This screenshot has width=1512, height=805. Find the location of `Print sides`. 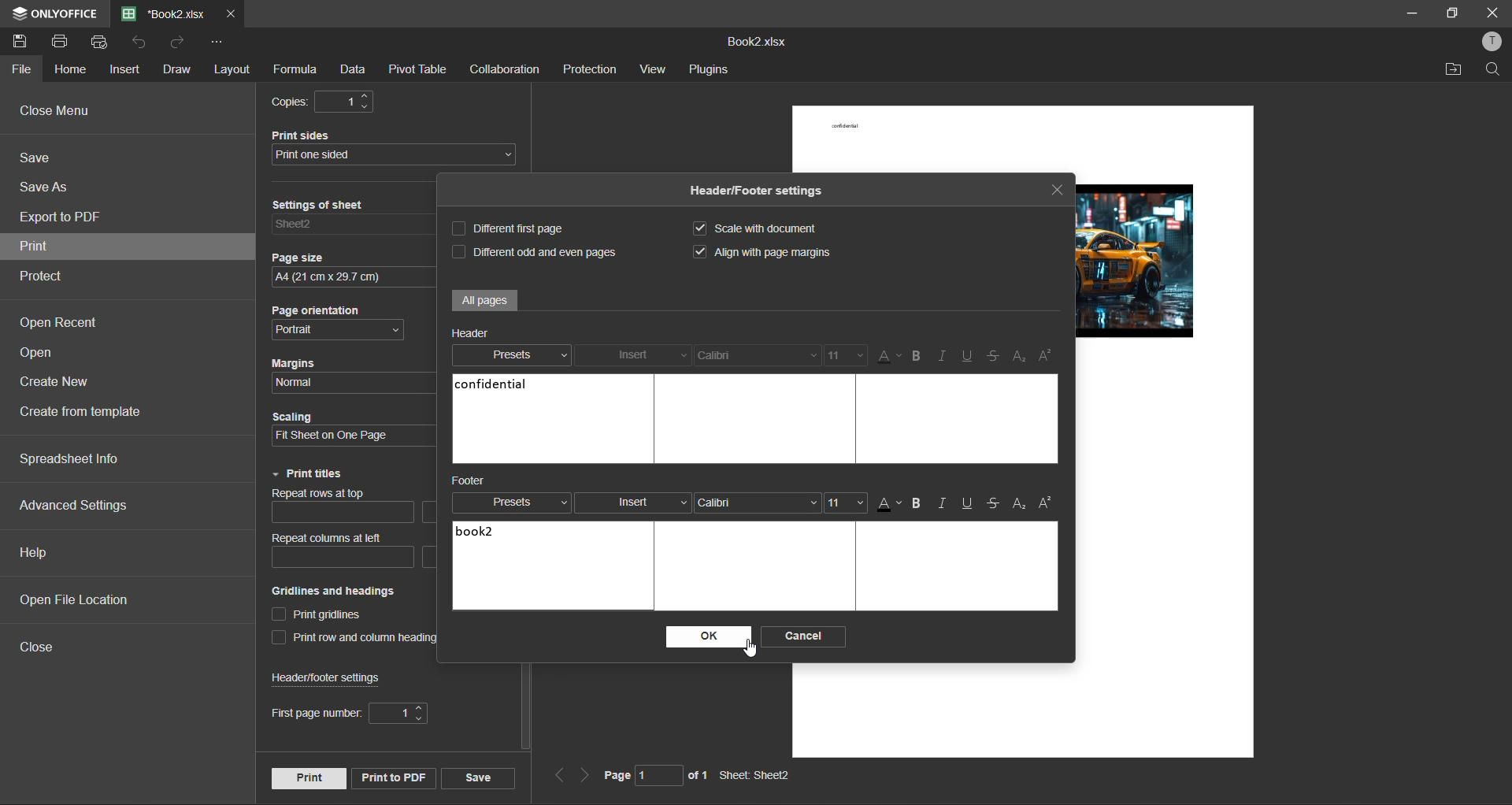

Print sides is located at coordinates (305, 134).